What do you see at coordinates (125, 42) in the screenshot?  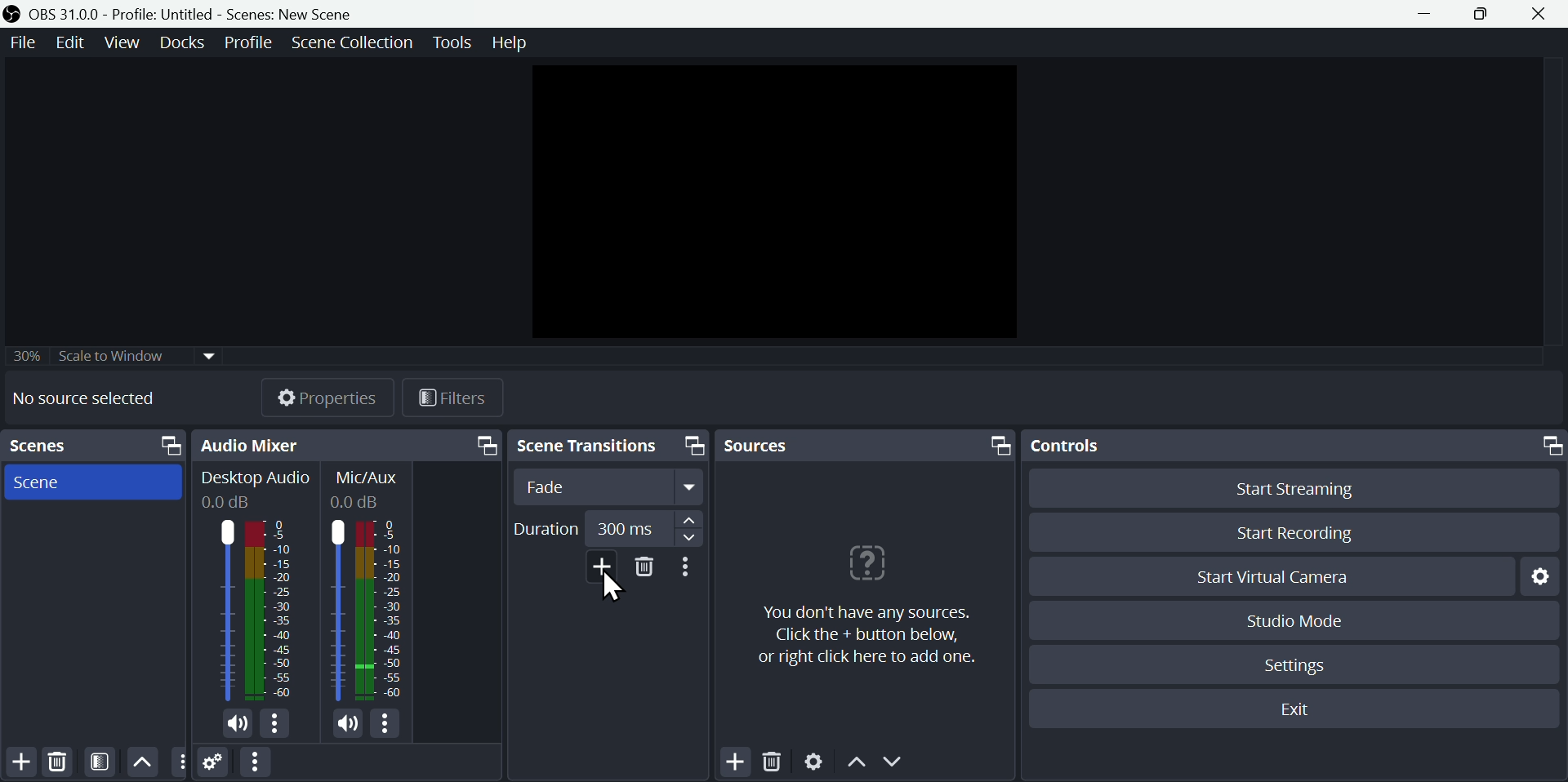 I see `` at bounding box center [125, 42].